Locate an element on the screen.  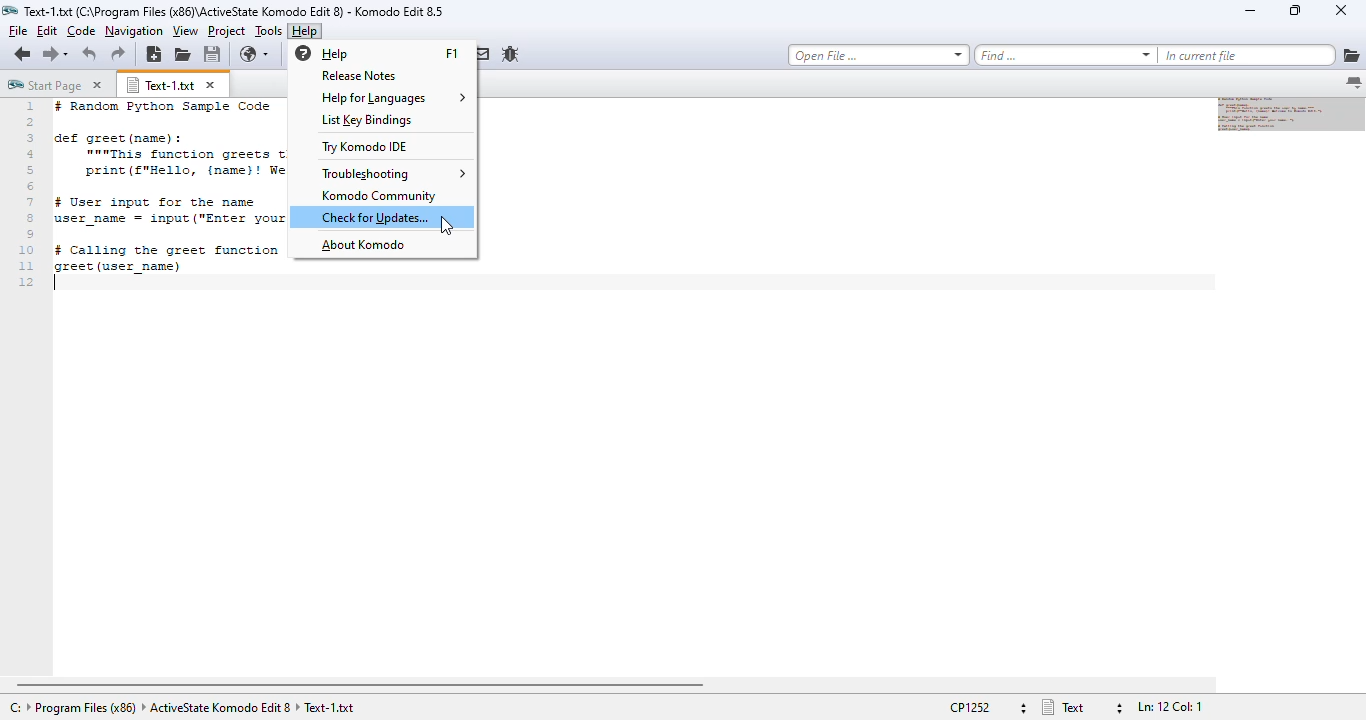
open file is located at coordinates (879, 55).